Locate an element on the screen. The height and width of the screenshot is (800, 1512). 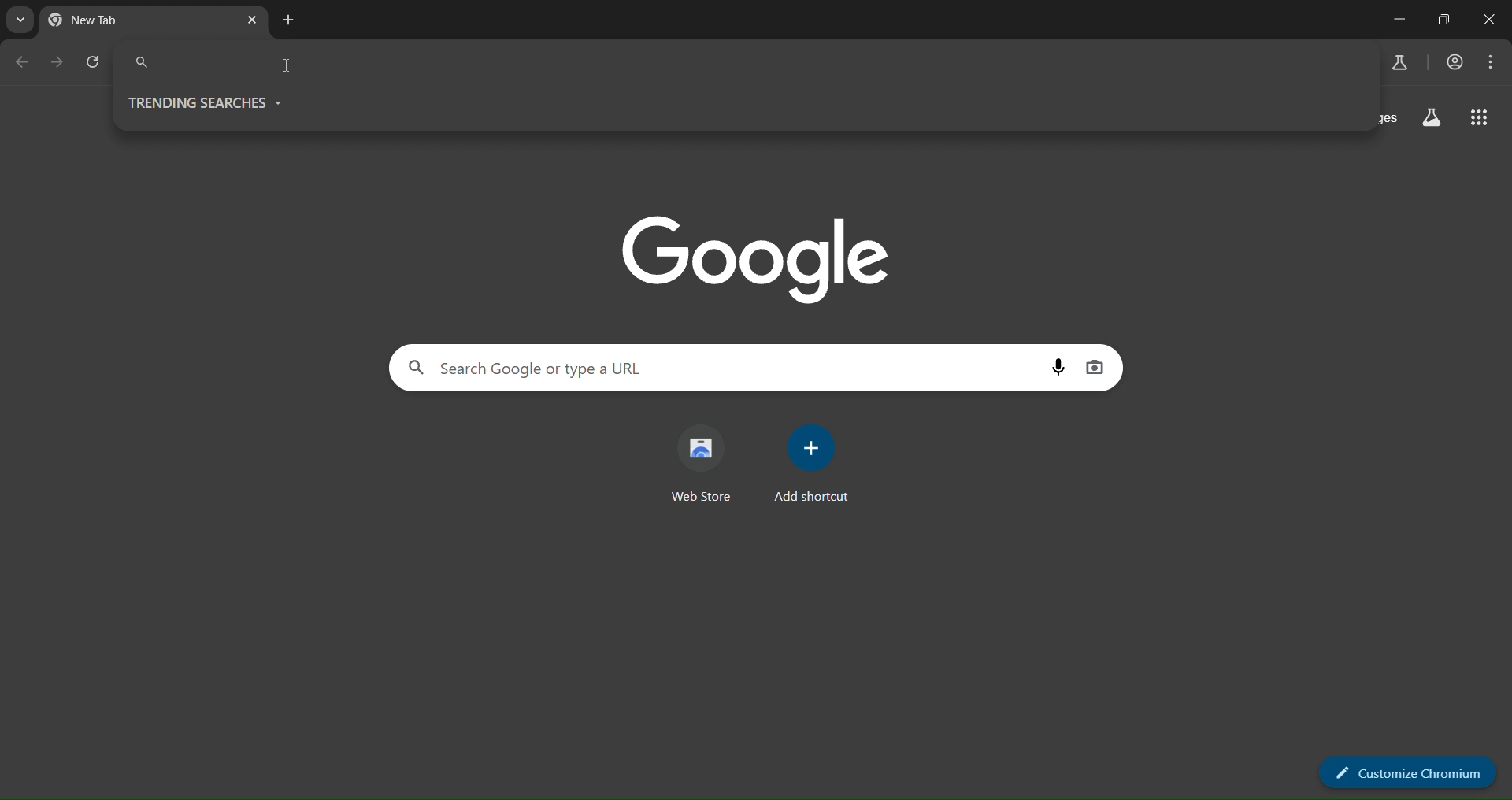
new tab is located at coordinates (291, 20).